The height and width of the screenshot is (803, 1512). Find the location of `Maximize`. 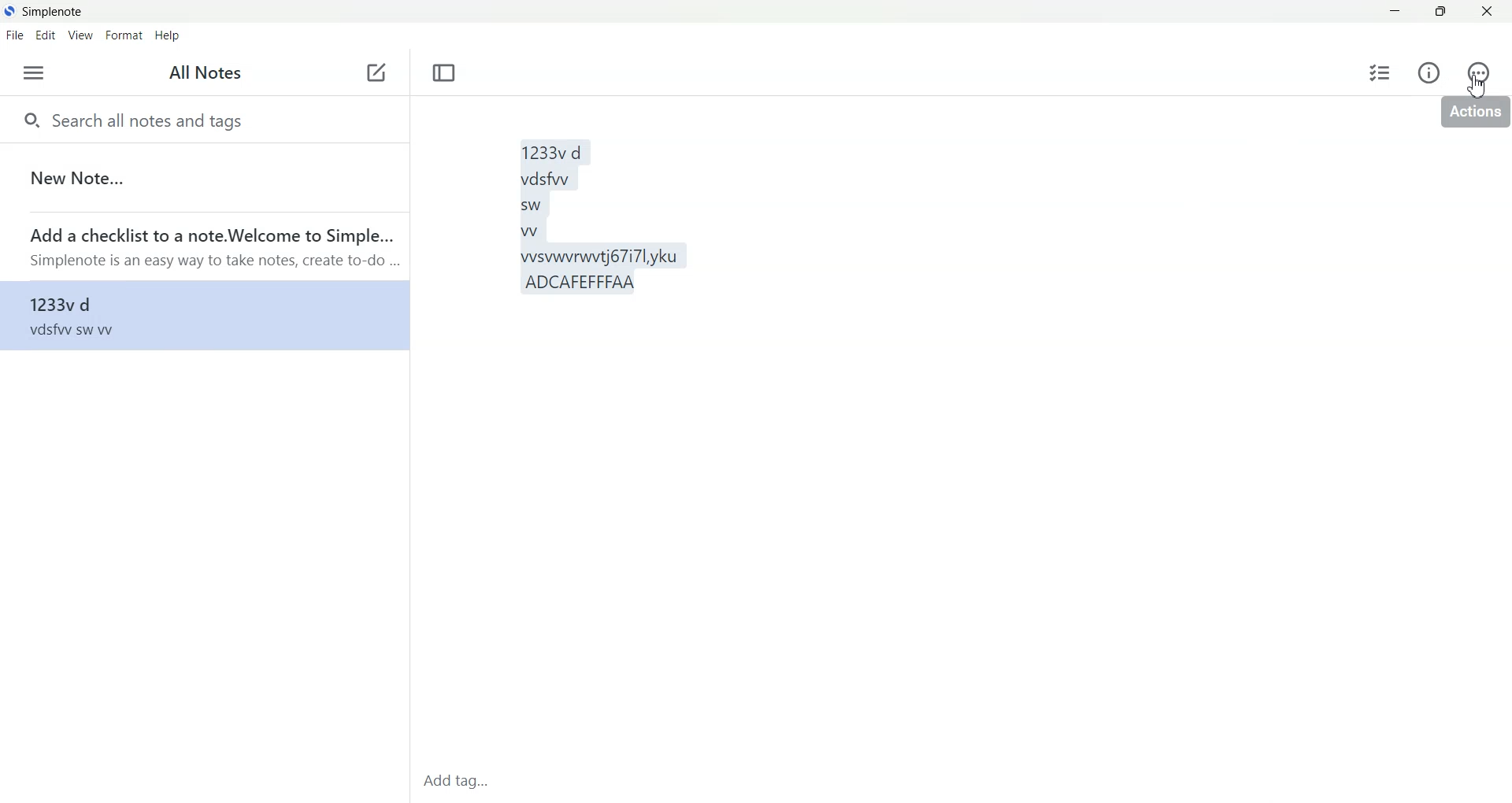

Maximize is located at coordinates (1442, 12).